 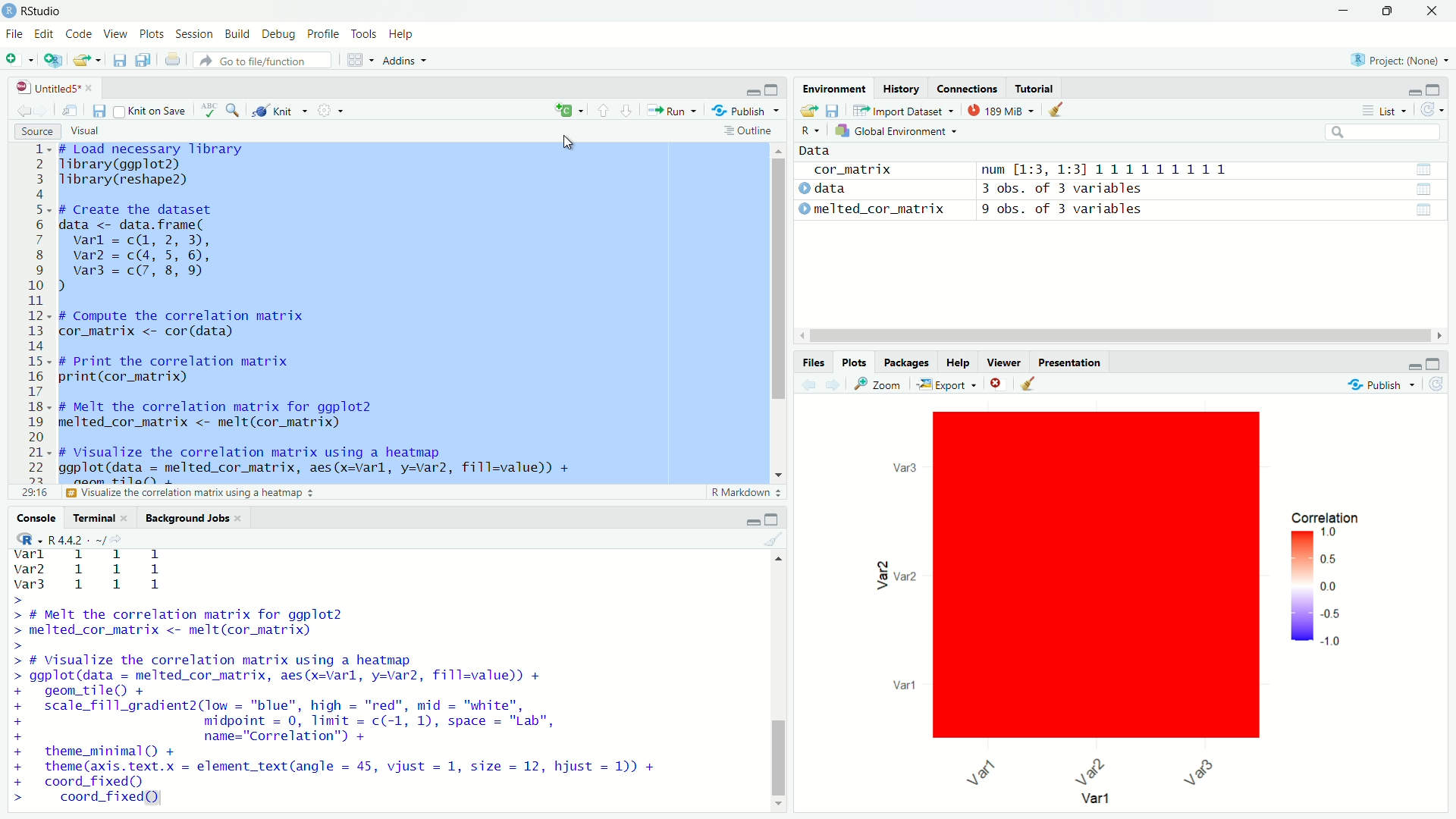 I want to click on save workspace as, so click(x=835, y=110).